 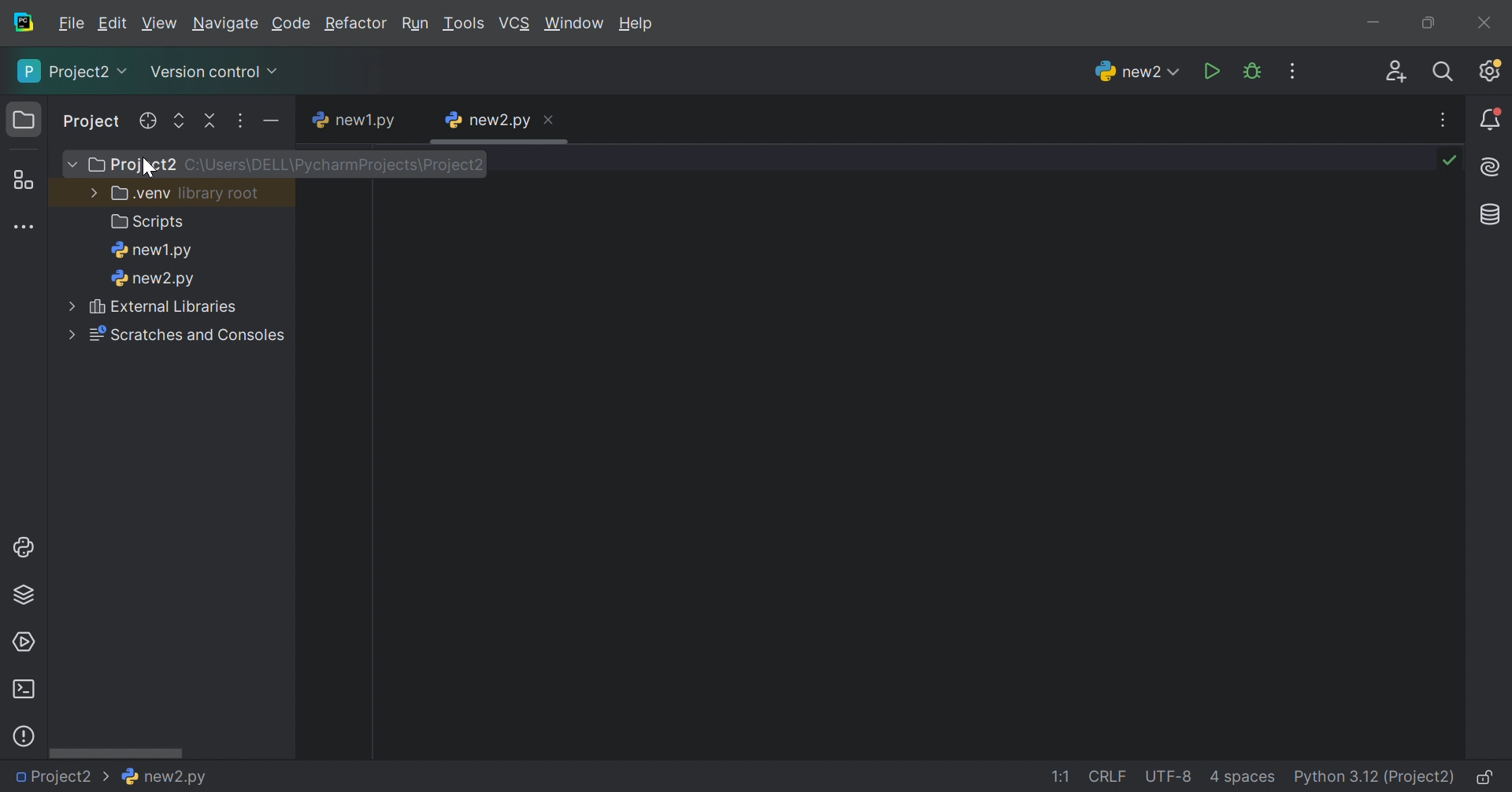 What do you see at coordinates (1494, 167) in the screenshot?
I see `AI Assistant` at bounding box center [1494, 167].